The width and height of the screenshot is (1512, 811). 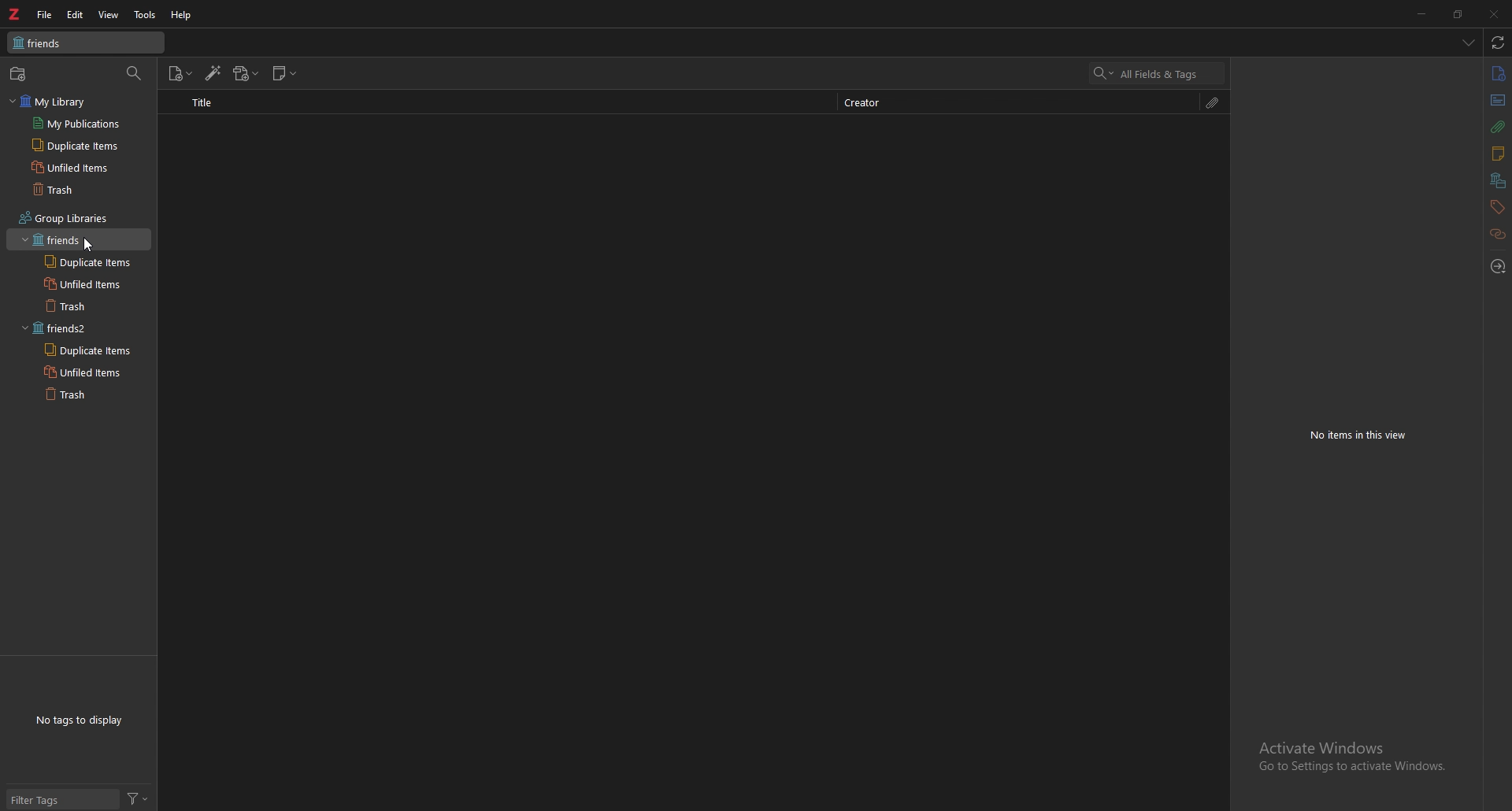 What do you see at coordinates (76, 14) in the screenshot?
I see `edit` at bounding box center [76, 14].